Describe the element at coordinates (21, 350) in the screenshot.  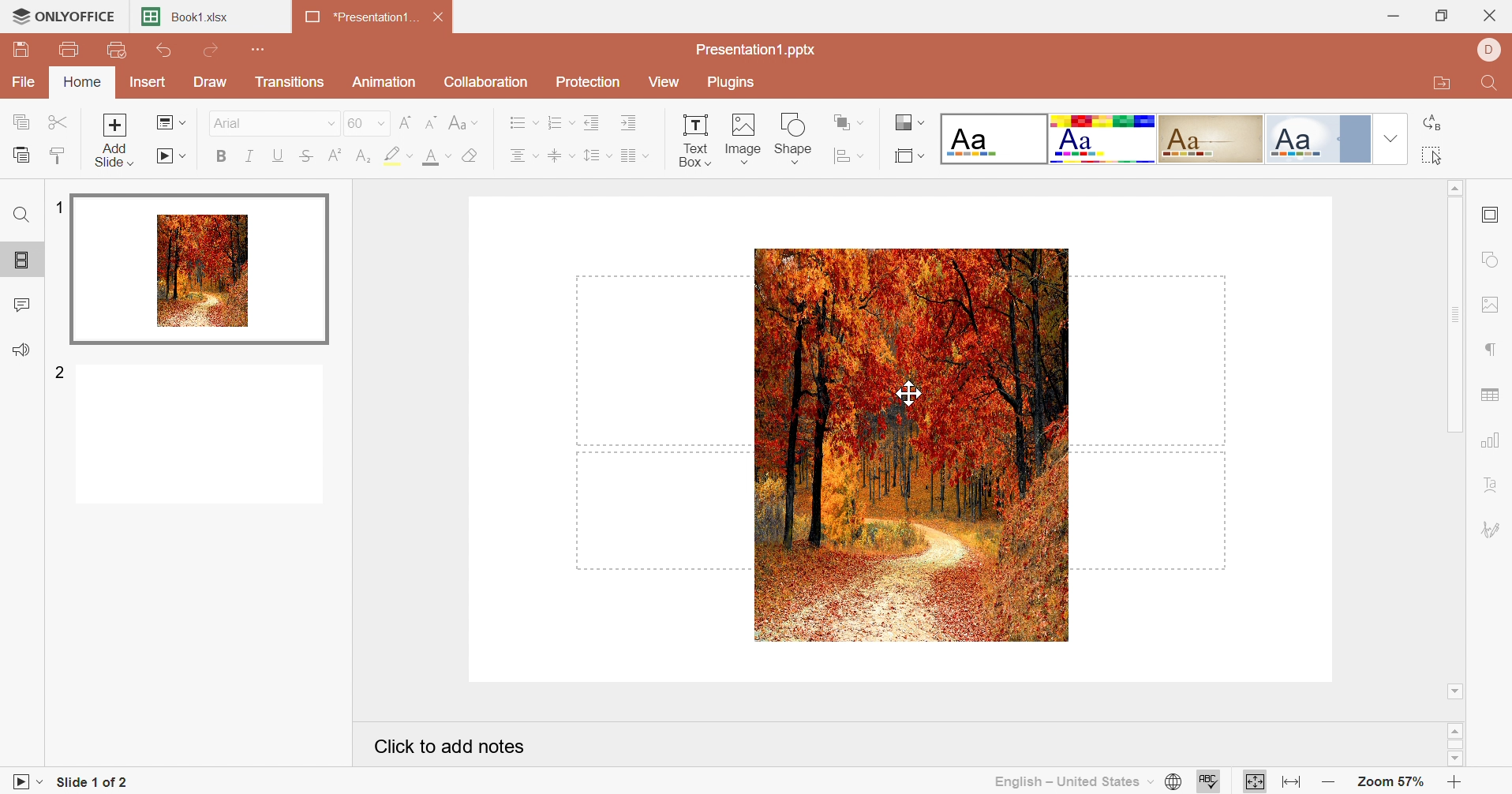
I see `Feedback & support` at that location.